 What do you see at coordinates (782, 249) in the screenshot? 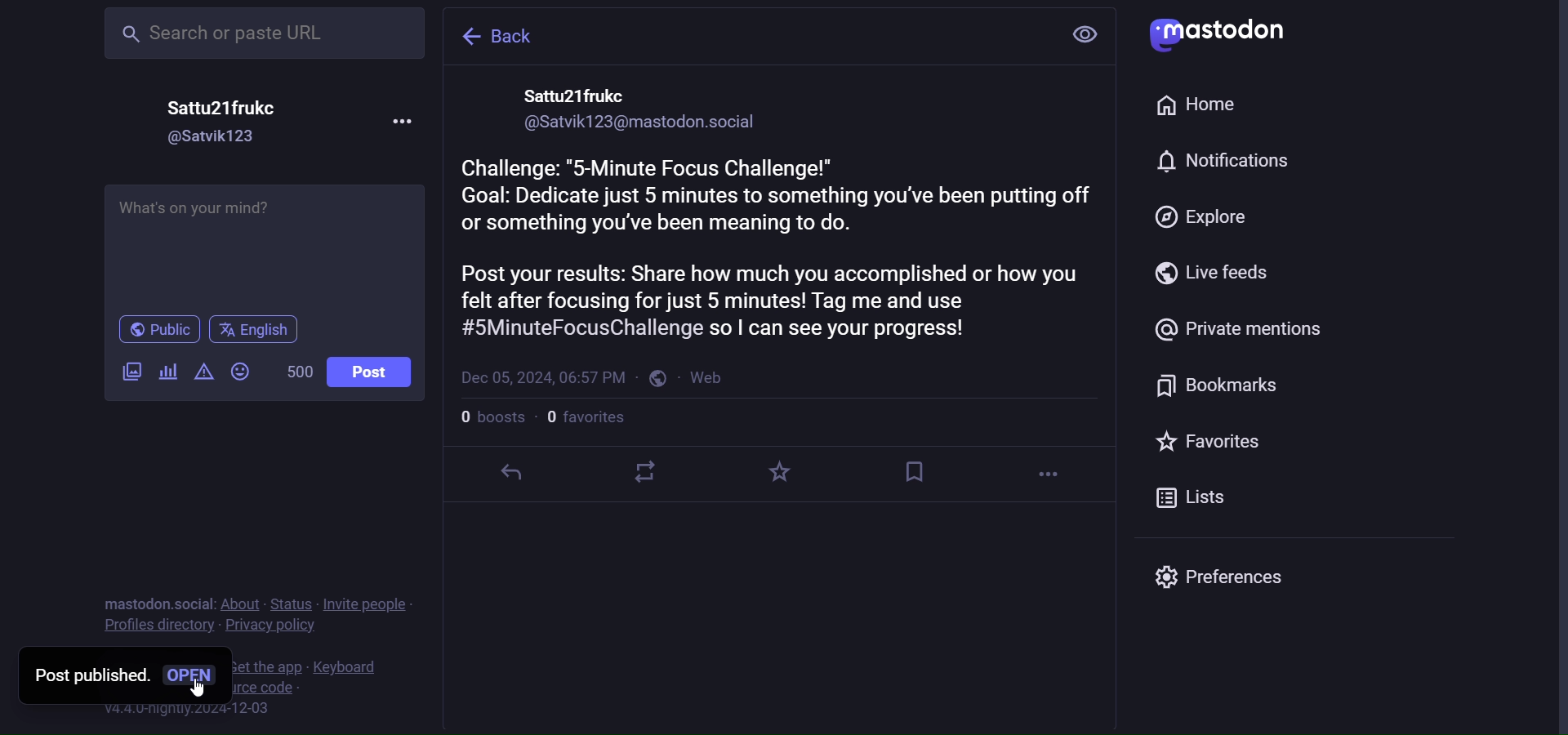
I see `challenge posted` at bounding box center [782, 249].